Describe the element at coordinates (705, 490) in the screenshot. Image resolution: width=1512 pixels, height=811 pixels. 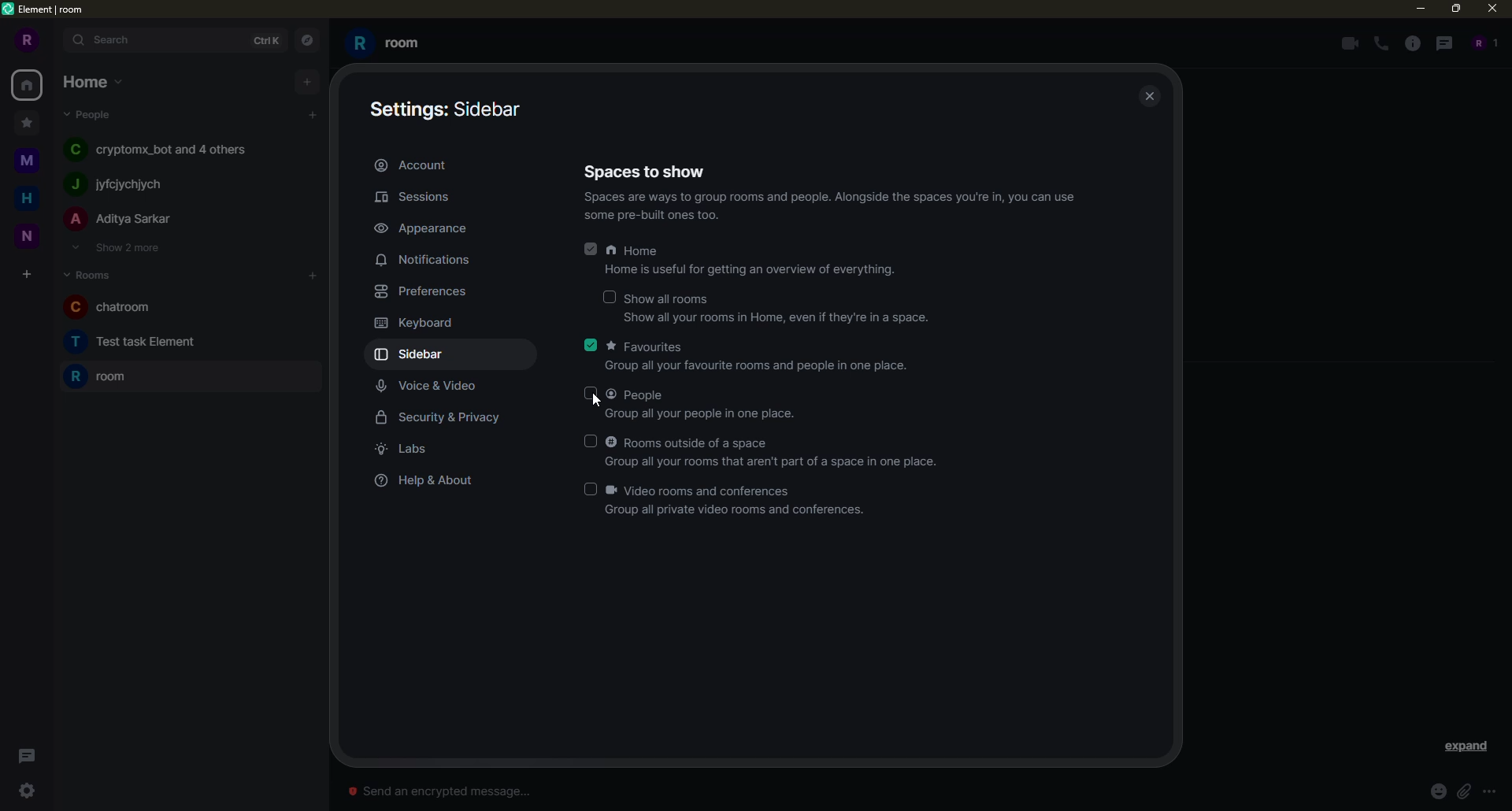
I see `video rooms` at that location.